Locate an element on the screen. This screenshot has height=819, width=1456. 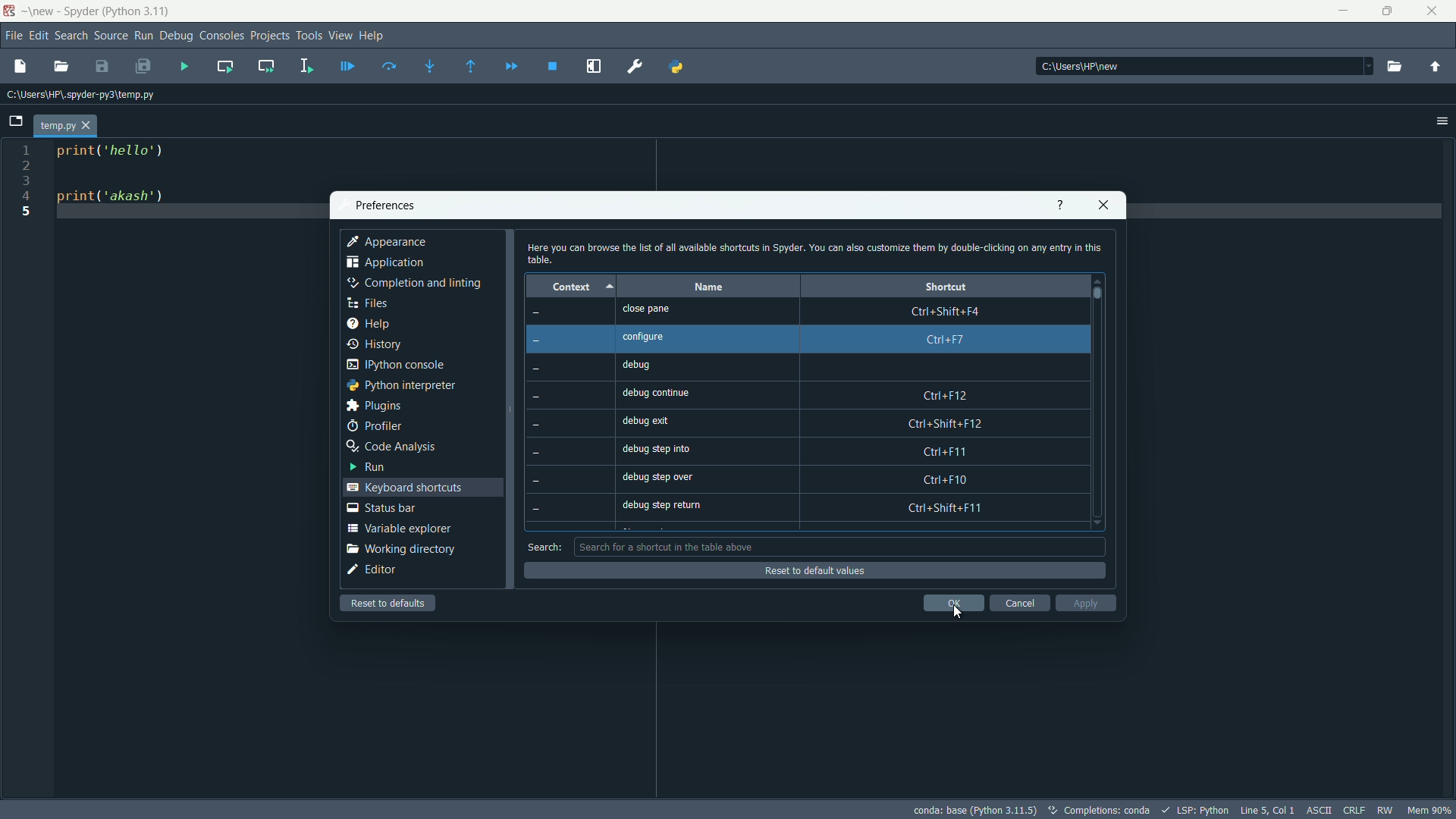
keyboard shortcuts is located at coordinates (404, 488).